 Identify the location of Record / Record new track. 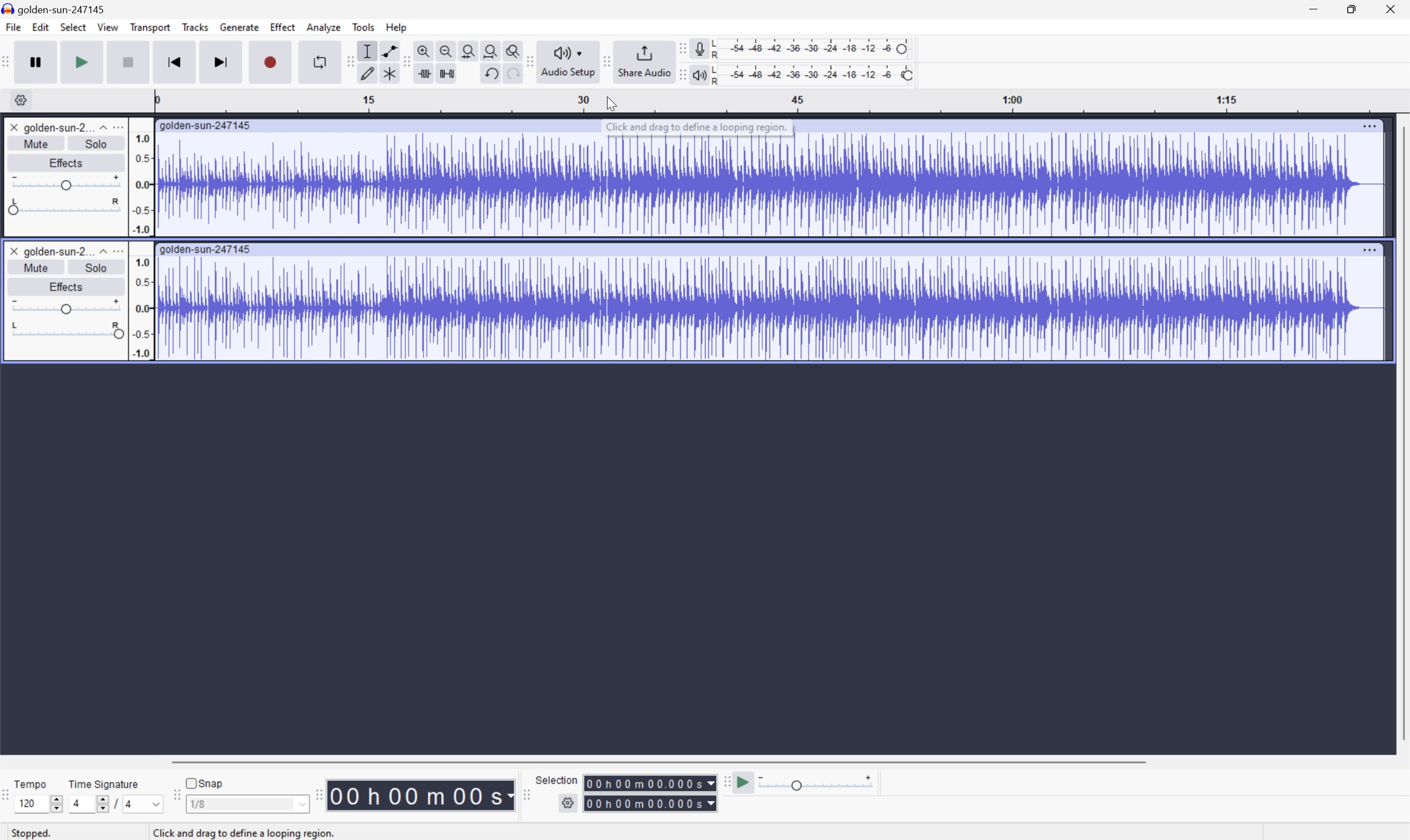
(272, 63).